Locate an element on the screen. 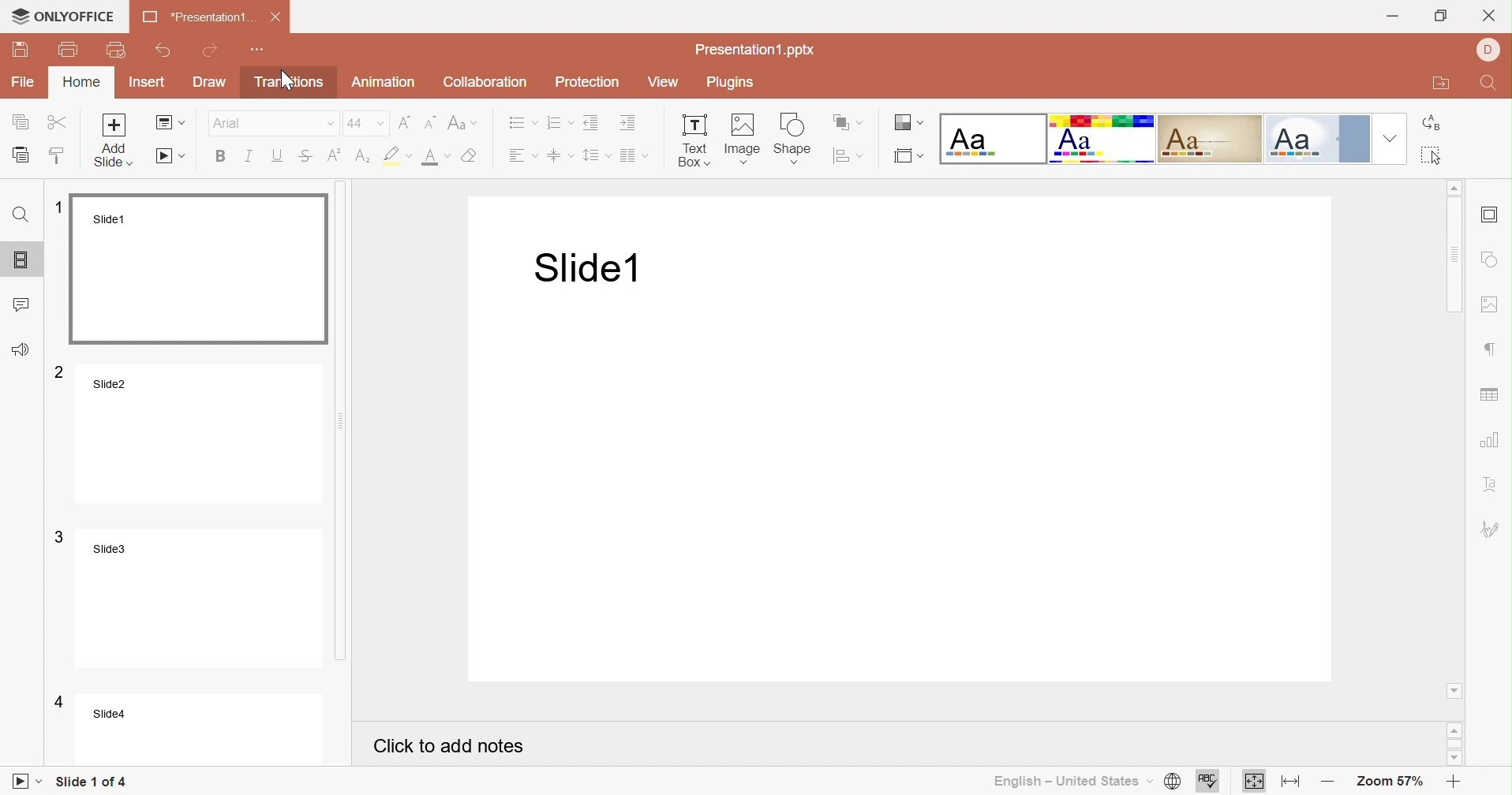 This screenshot has width=1512, height=795. Collaboration is located at coordinates (488, 82).